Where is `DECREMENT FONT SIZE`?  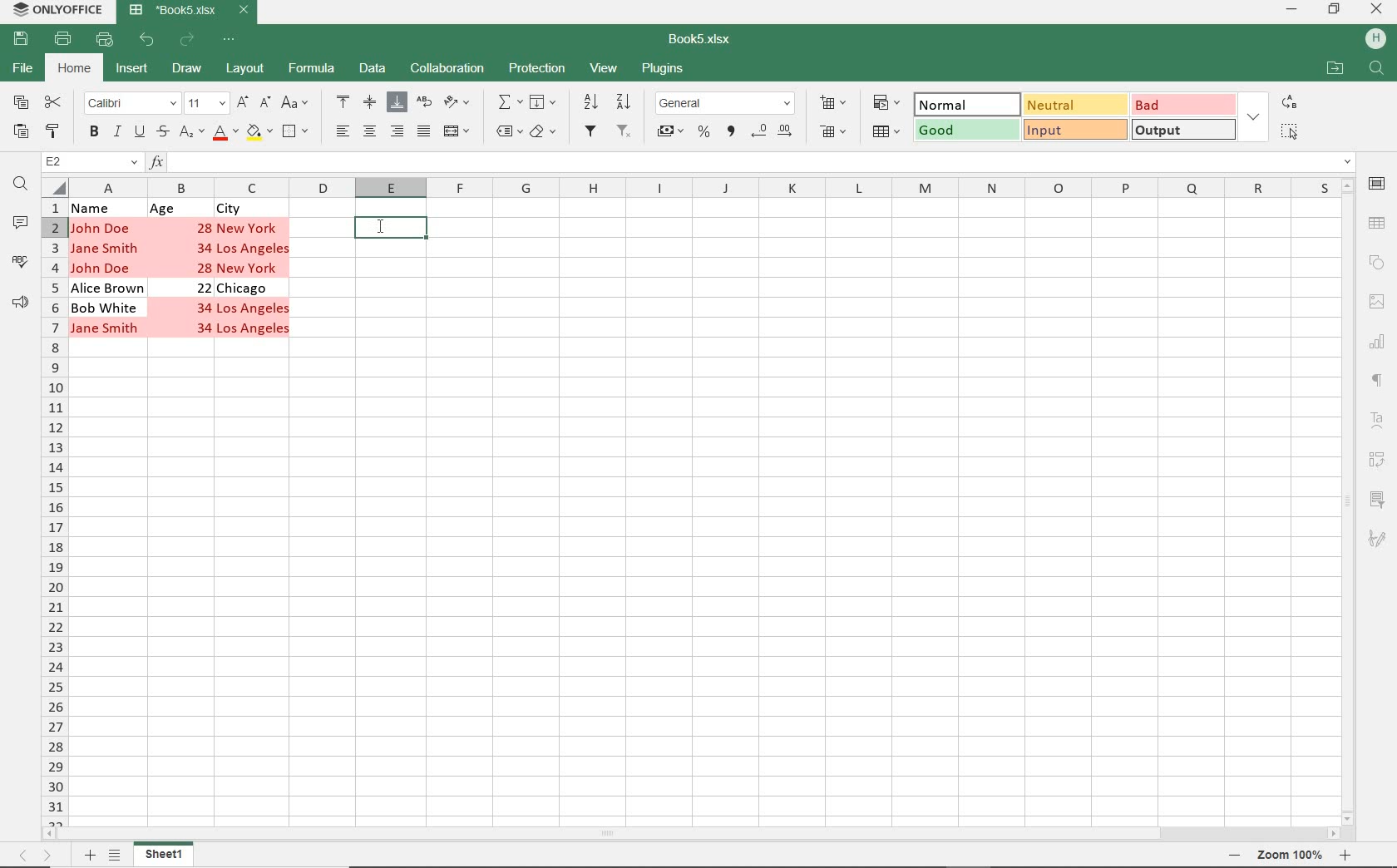 DECREMENT FONT SIZE is located at coordinates (265, 103).